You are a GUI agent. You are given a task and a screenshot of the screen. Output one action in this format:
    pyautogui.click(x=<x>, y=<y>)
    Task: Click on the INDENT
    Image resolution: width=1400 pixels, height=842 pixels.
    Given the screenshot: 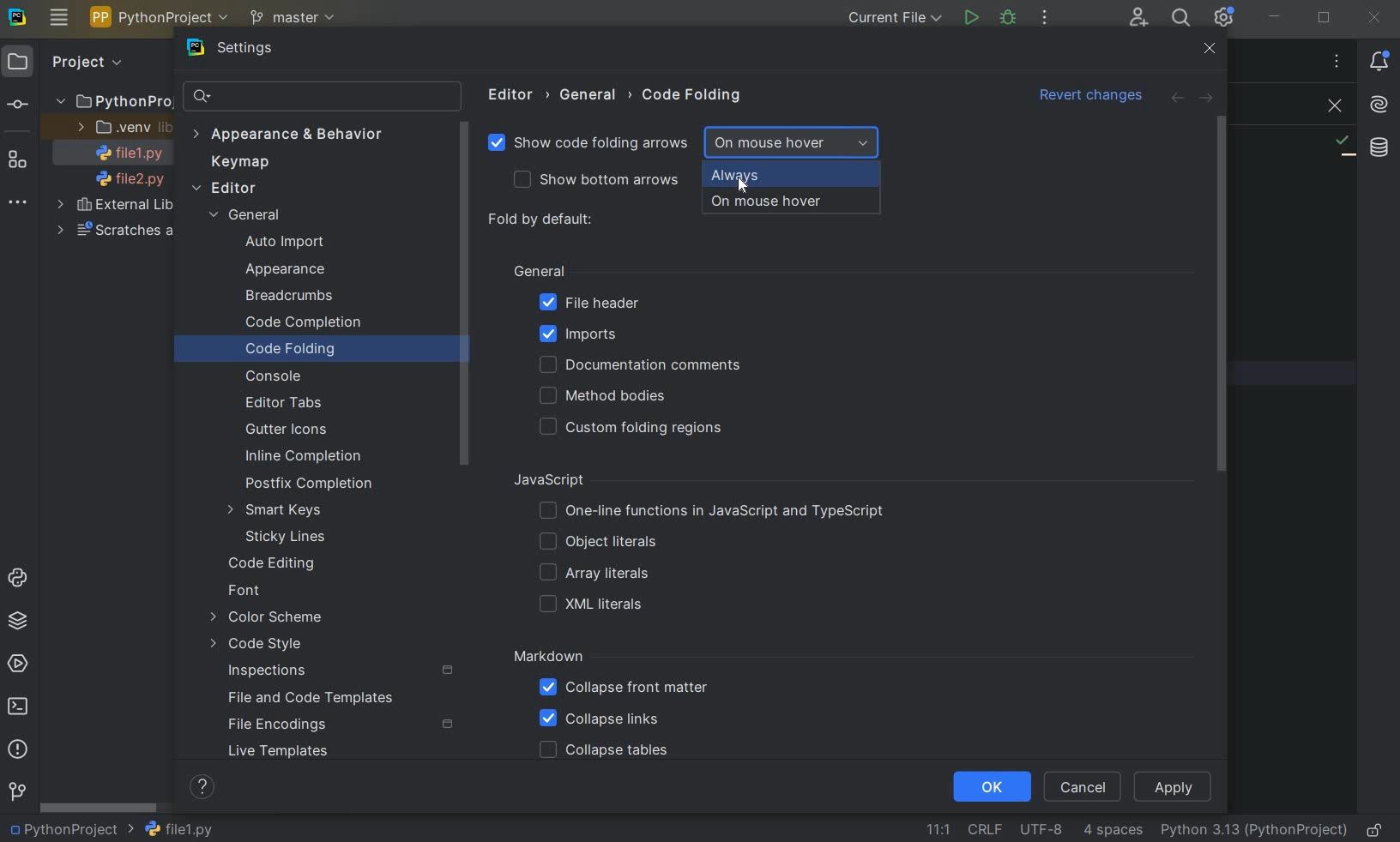 What is the action you would take?
    pyautogui.click(x=1112, y=831)
    